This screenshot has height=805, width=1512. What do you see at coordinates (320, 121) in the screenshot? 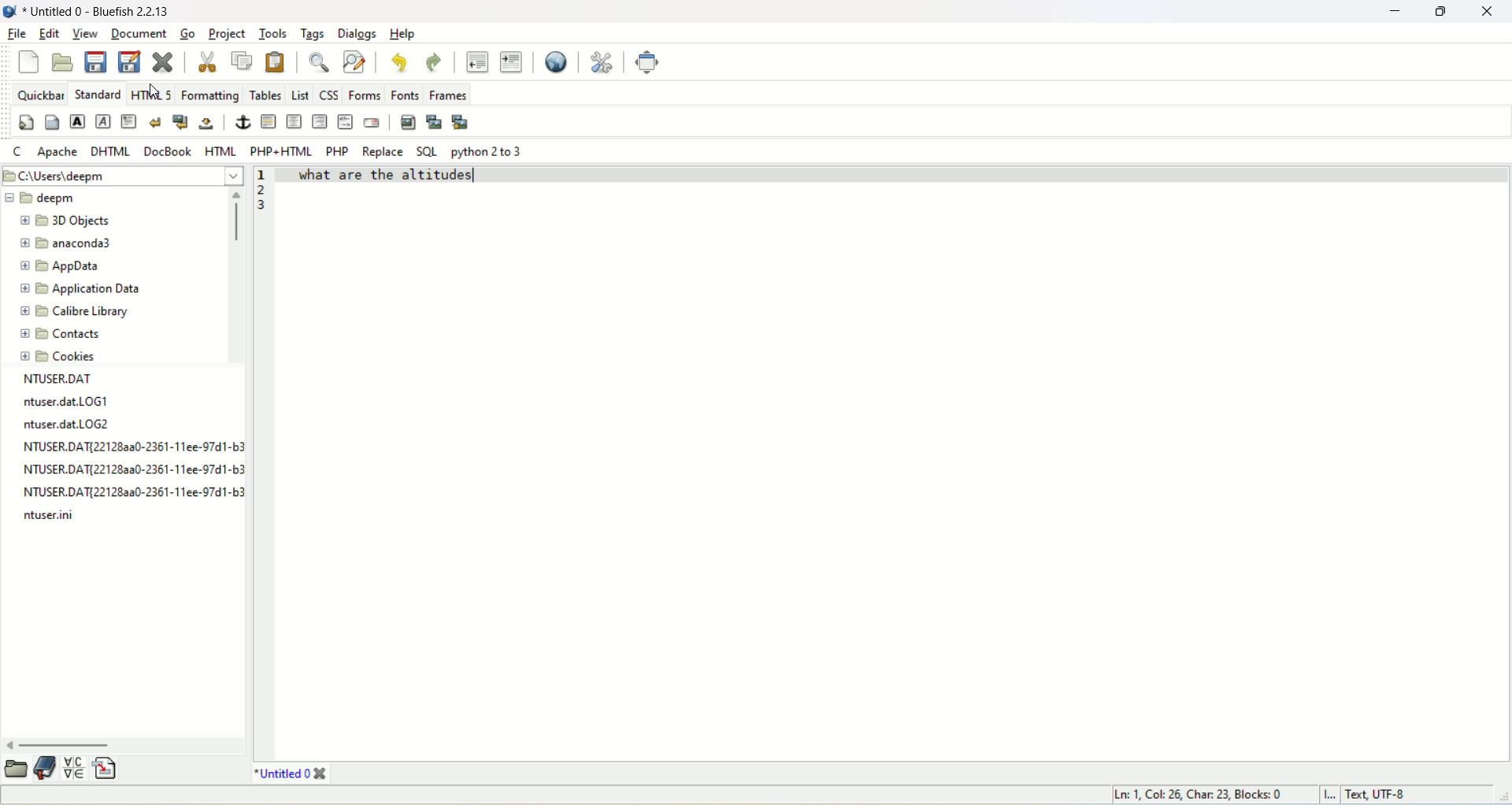
I see `right justify` at bounding box center [320, 121].